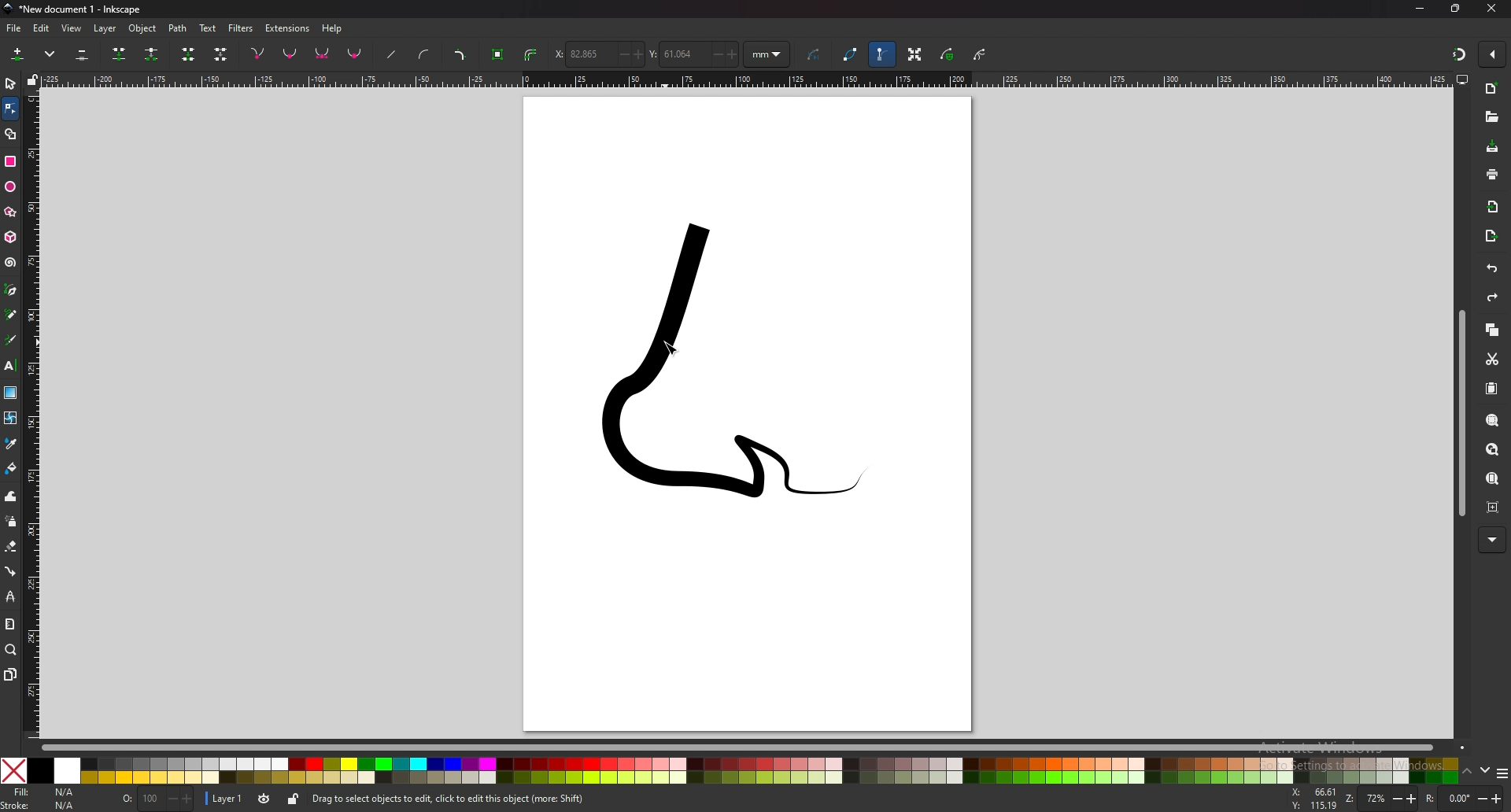 The width and height of the screenshot is (1511, 812). What do you see at coordinates (1491, 359) in the screenshot?
I see `cut` at bounding box center [1491, 359].